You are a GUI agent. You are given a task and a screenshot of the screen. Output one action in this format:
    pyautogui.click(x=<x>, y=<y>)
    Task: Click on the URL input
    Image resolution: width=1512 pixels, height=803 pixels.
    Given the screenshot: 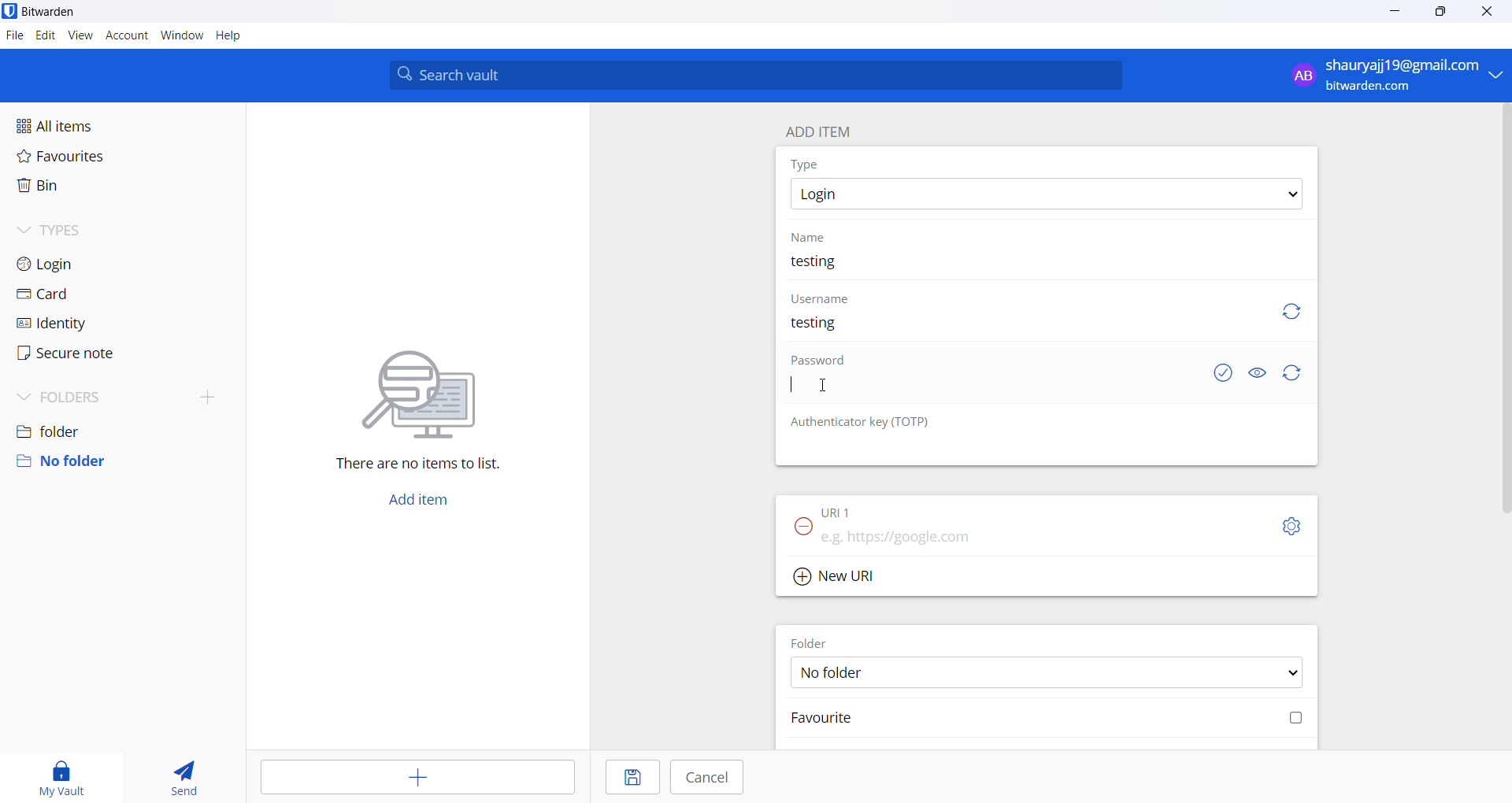 What is the action you would take?
    pyautogui.click(x=1014, y=537)
    